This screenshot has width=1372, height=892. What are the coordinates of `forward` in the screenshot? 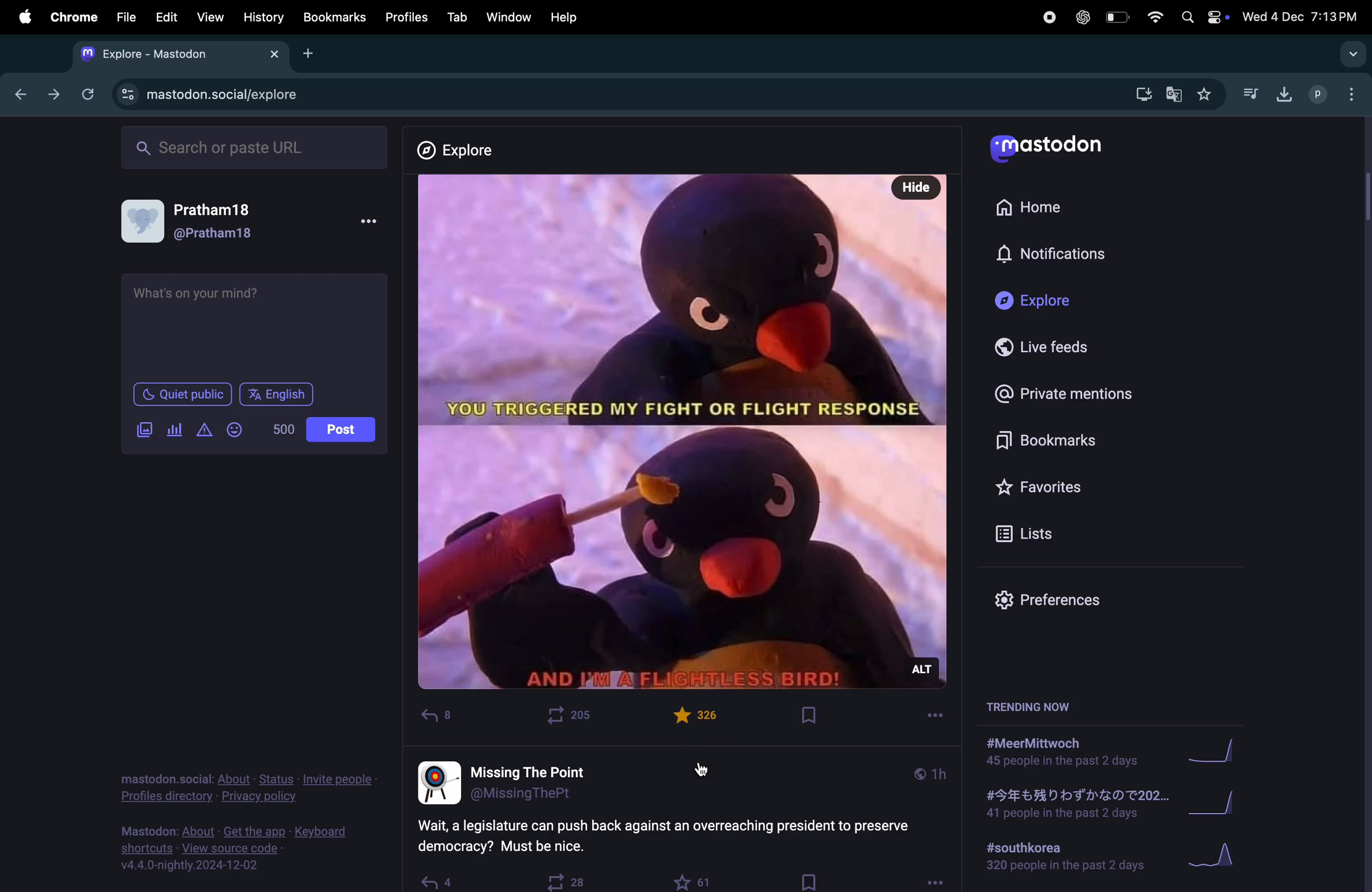 It's located at (52, 92).